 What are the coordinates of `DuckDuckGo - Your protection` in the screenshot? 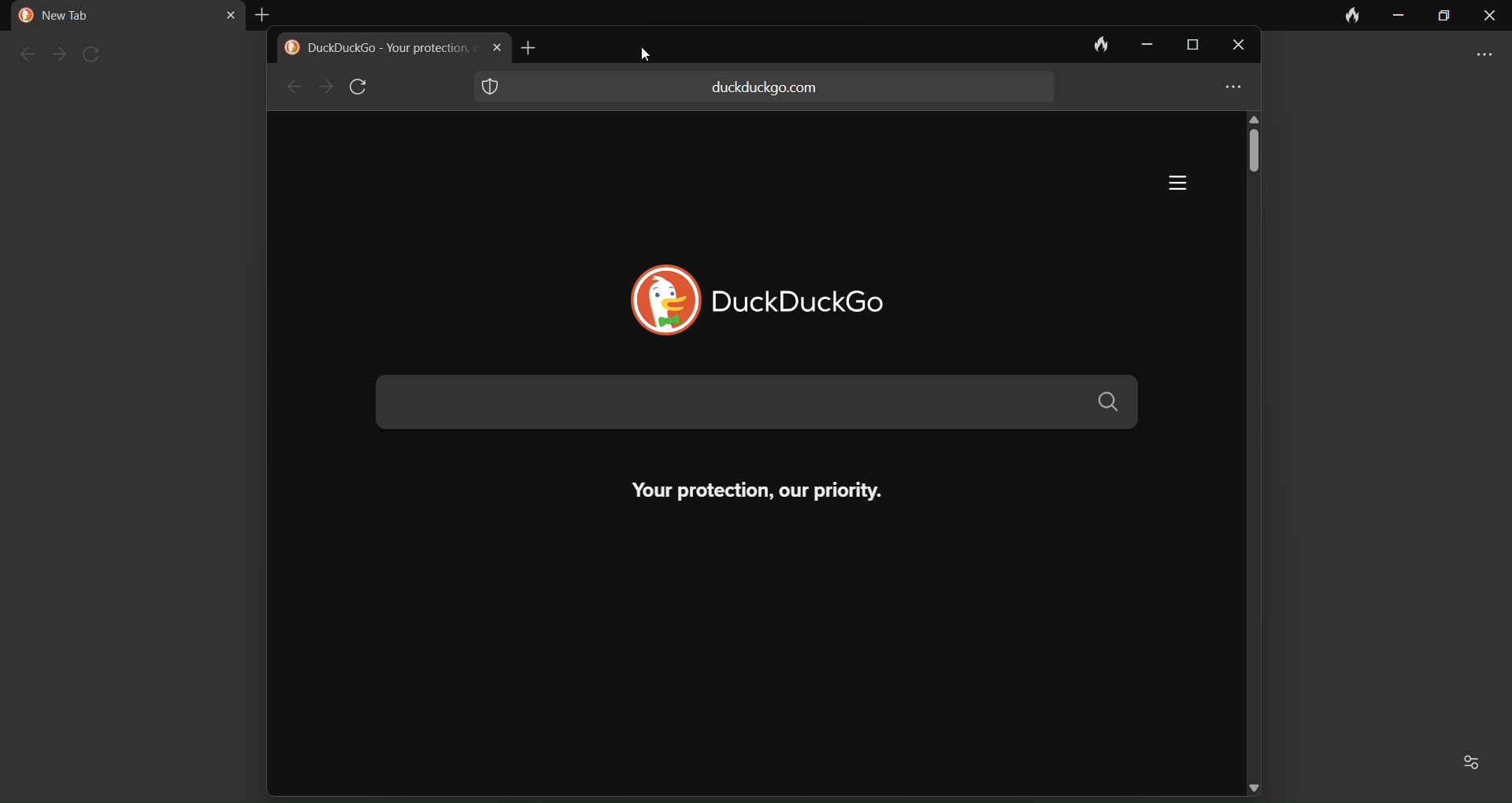 It's located at (391, 49).